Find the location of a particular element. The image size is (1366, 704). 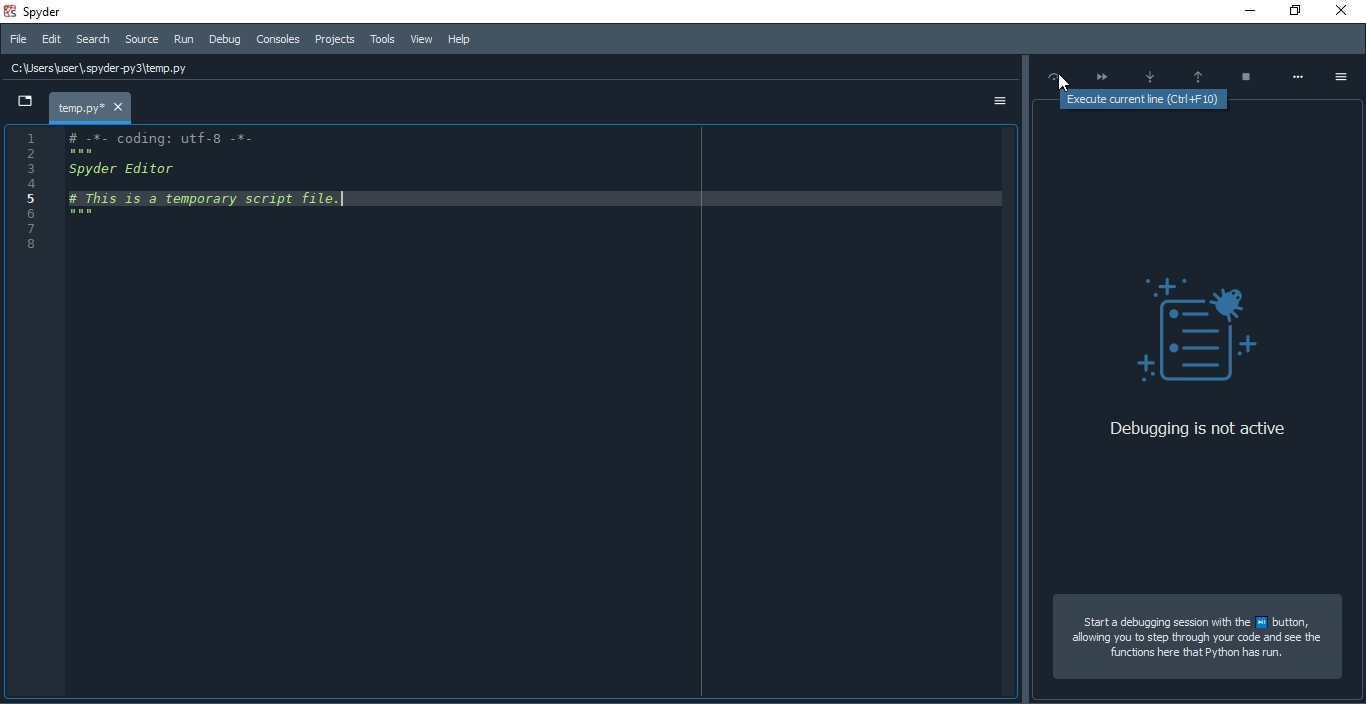

Debug is located at coordinates (226, 38).